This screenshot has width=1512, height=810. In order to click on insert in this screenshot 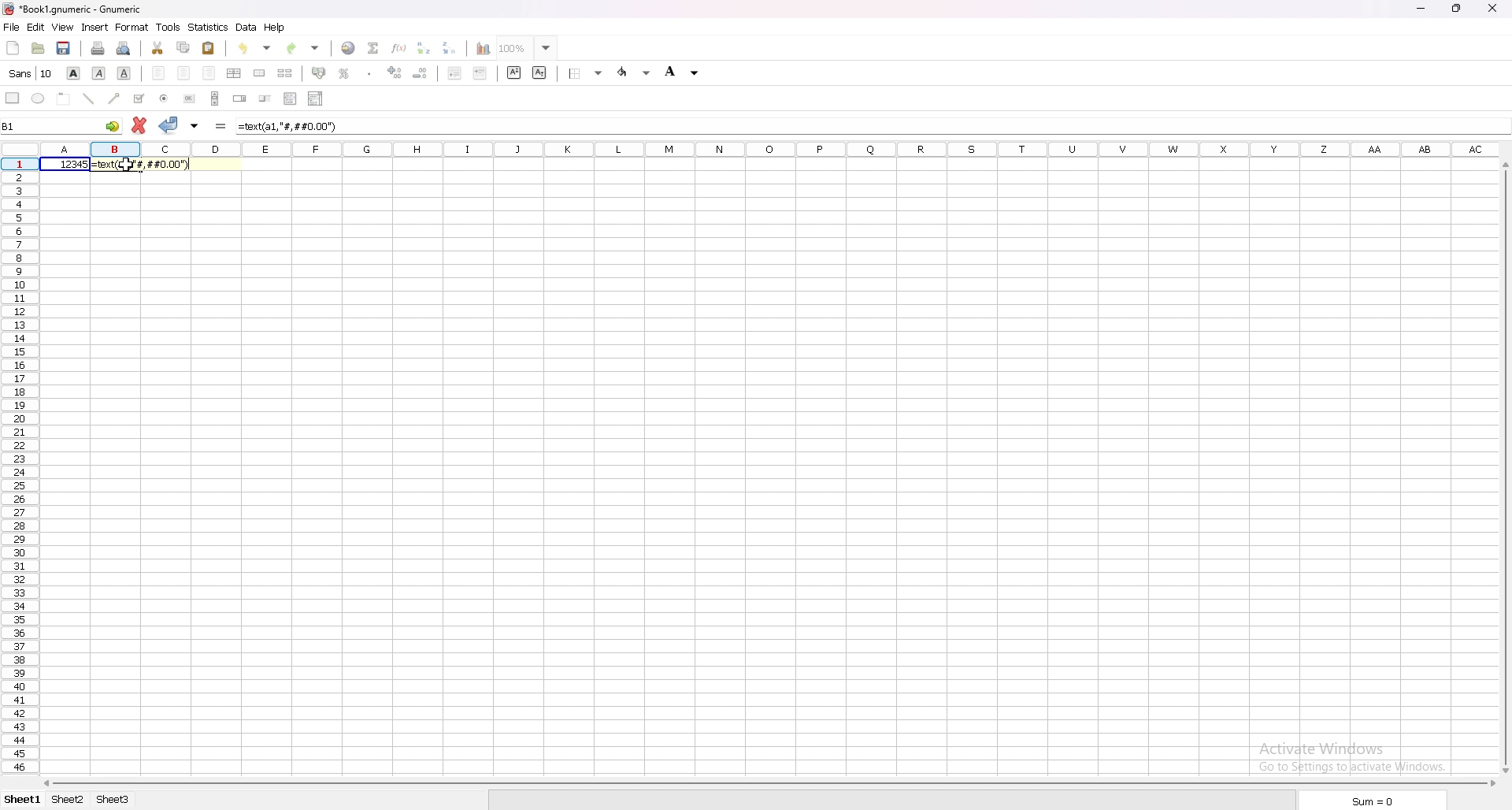, I will do `click(95, 28)`.